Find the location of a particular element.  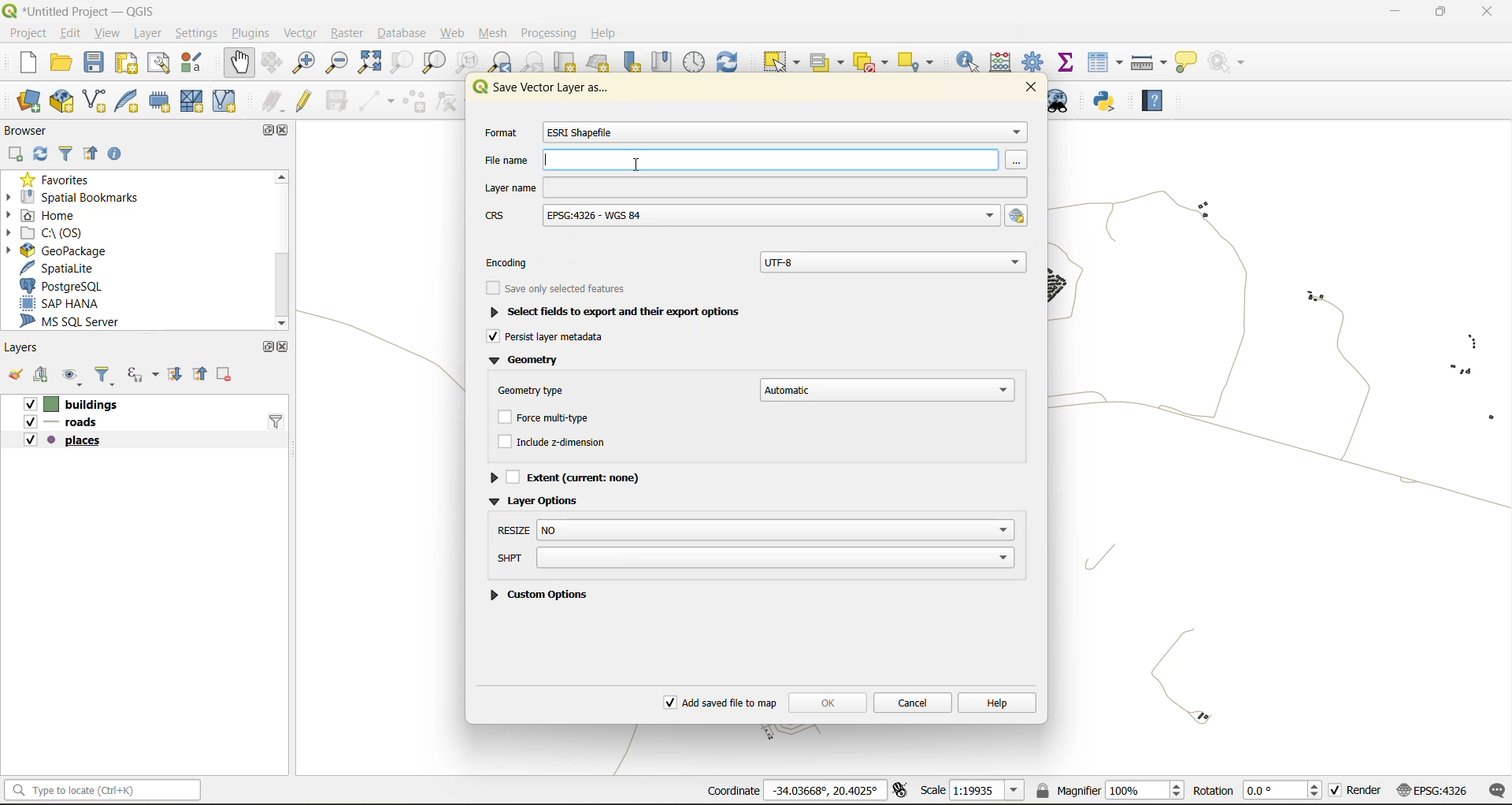

ok is located at coordinates (829, 703).